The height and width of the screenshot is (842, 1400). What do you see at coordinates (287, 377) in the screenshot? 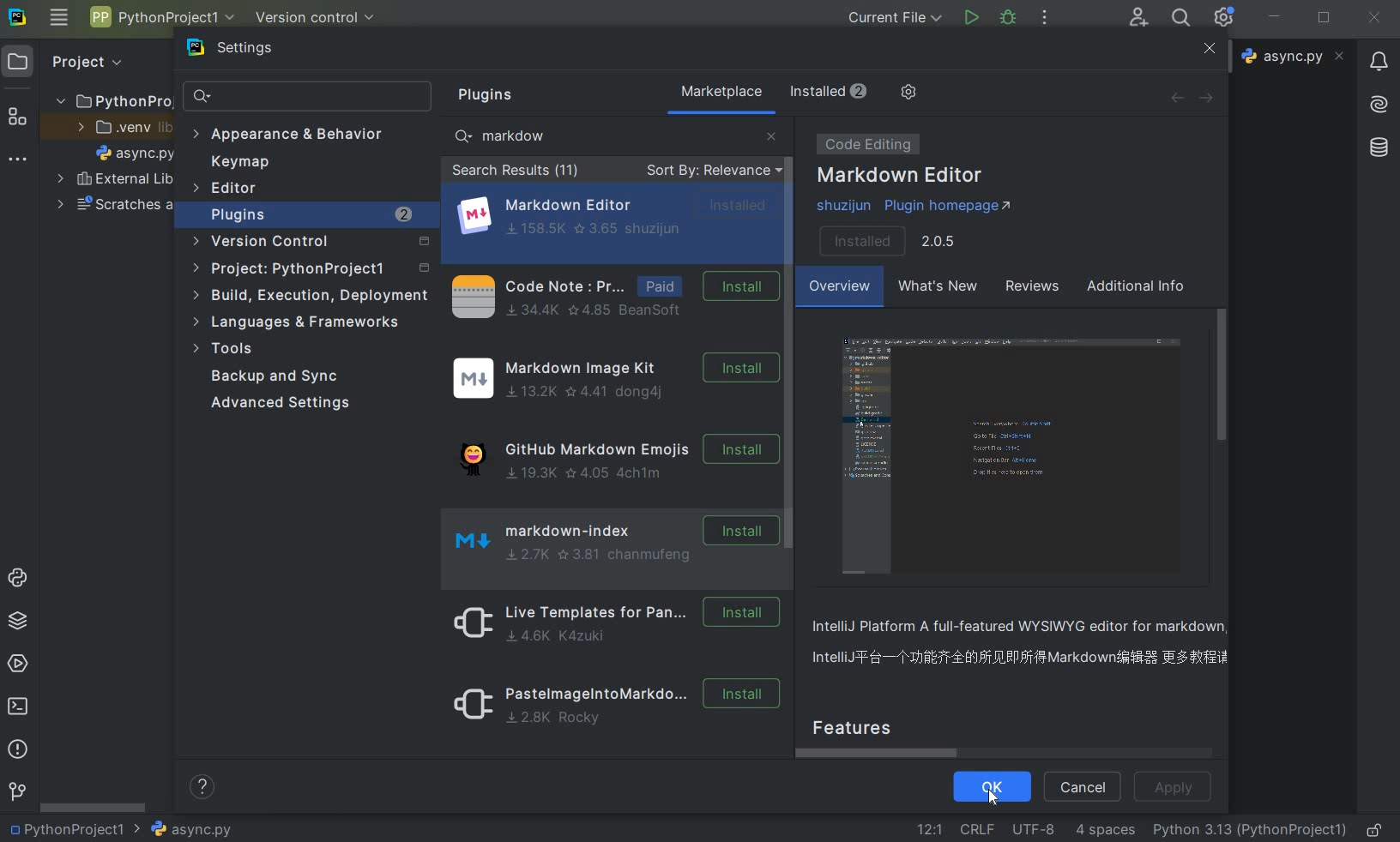
I see `backup and sync` at bounding box center [287, 377].